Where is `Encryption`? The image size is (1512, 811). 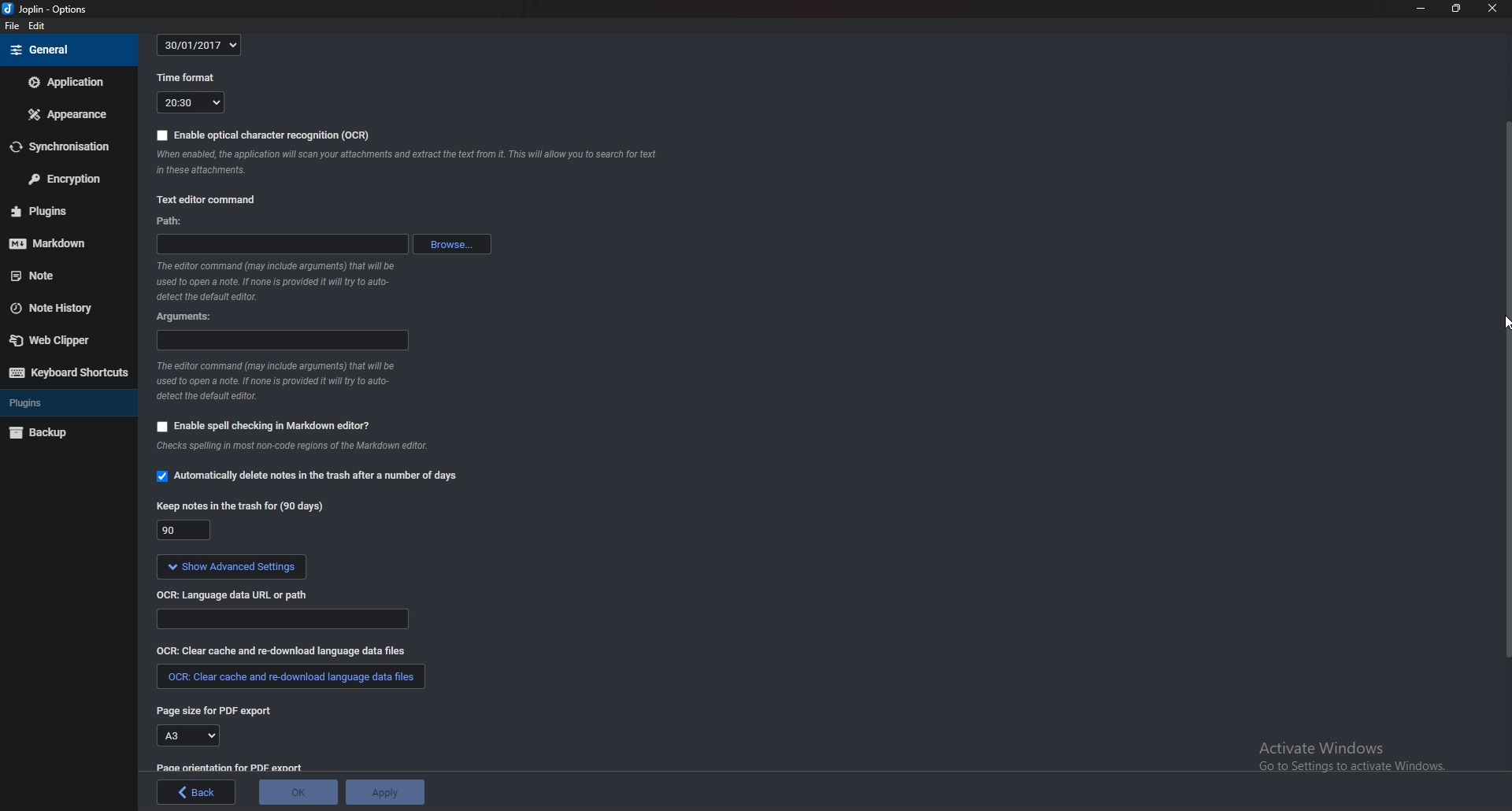 Encryption is located at coordinates (66, 178).